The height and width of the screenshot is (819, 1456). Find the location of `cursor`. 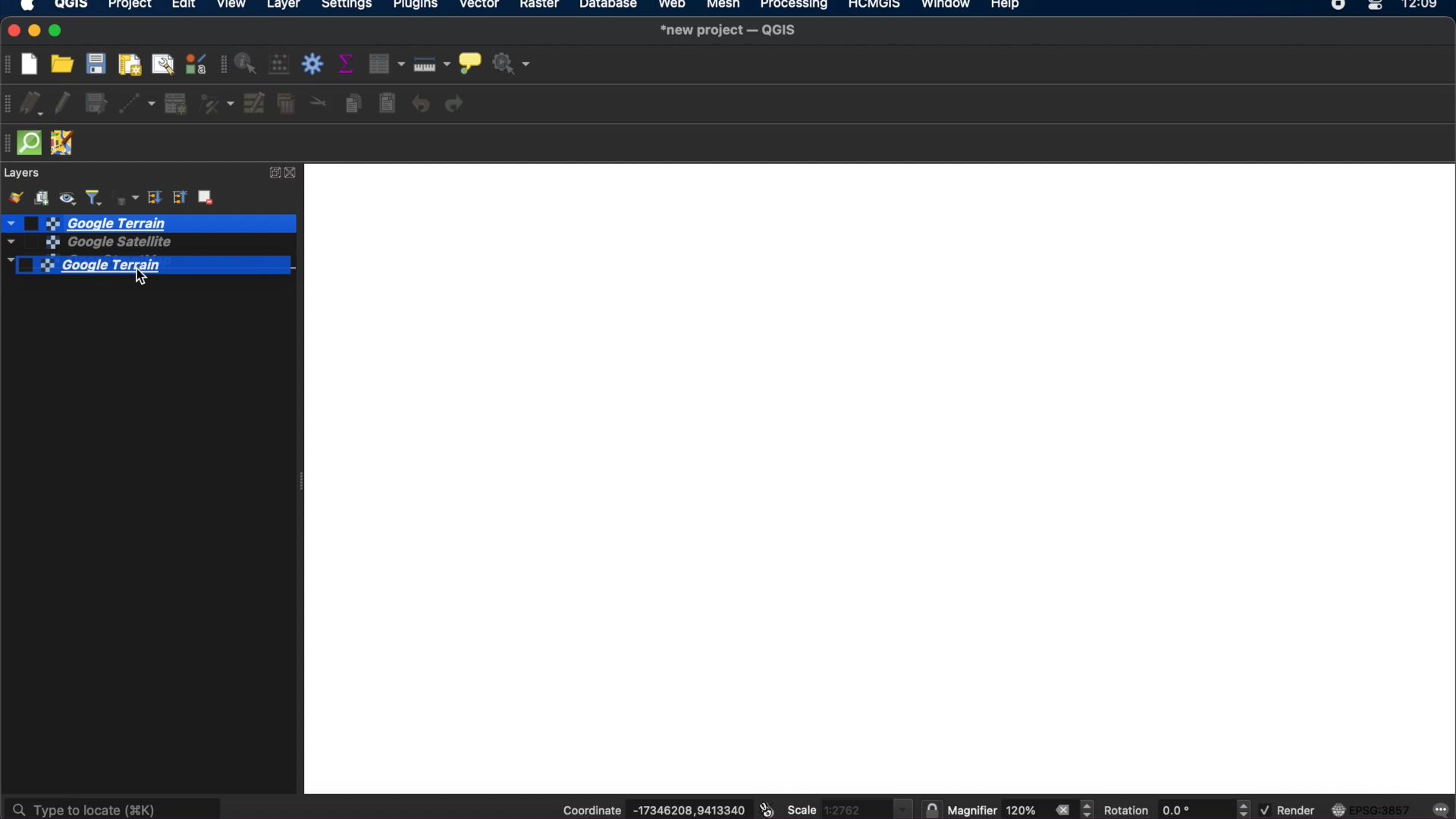

cursor is located at coordinates (133, 274).